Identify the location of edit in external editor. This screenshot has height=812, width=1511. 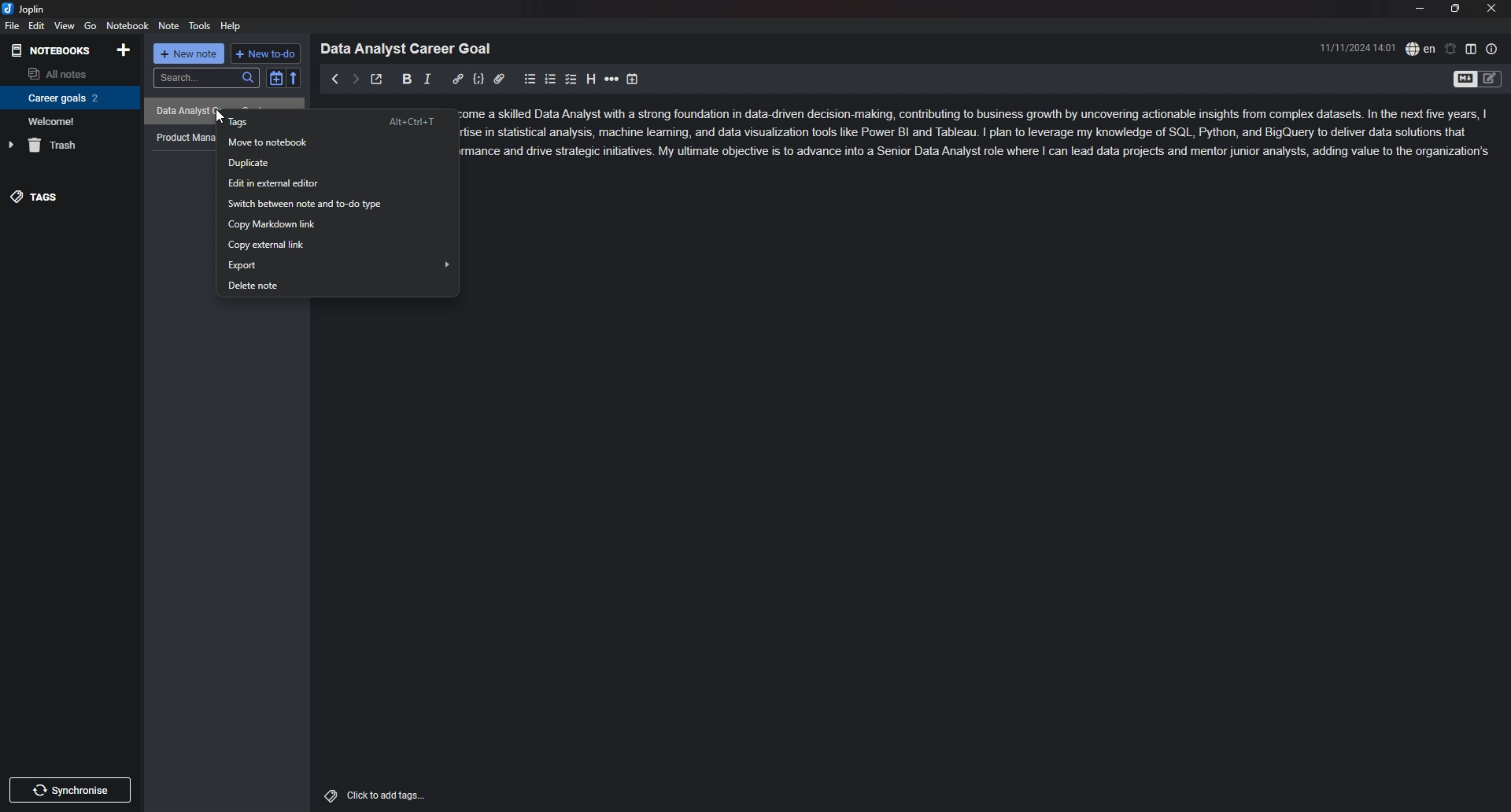
(338, 183).